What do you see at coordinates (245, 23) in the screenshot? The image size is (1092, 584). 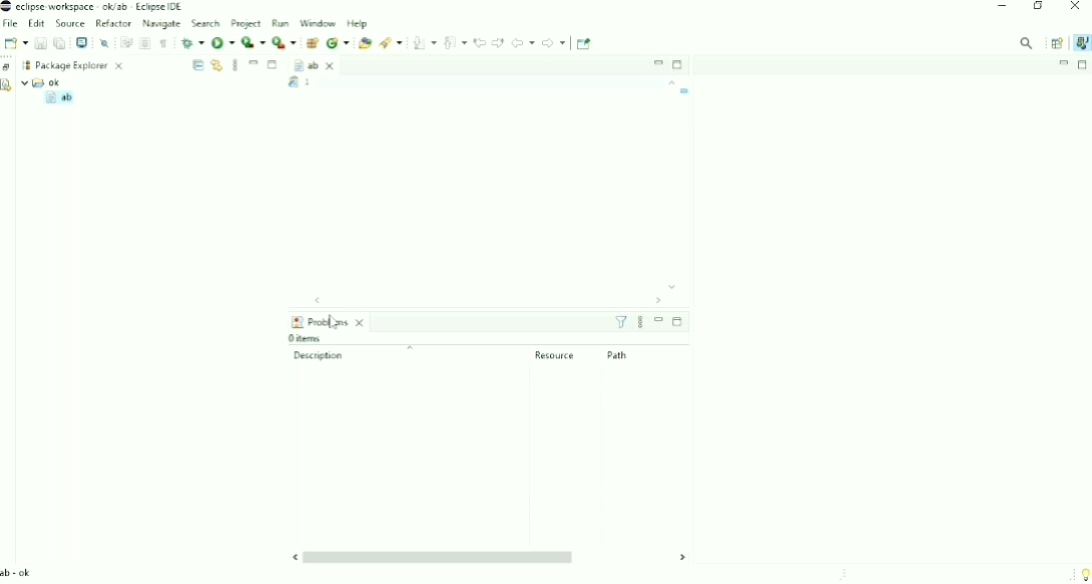 I see `Project` at bounding box center [245, 23].